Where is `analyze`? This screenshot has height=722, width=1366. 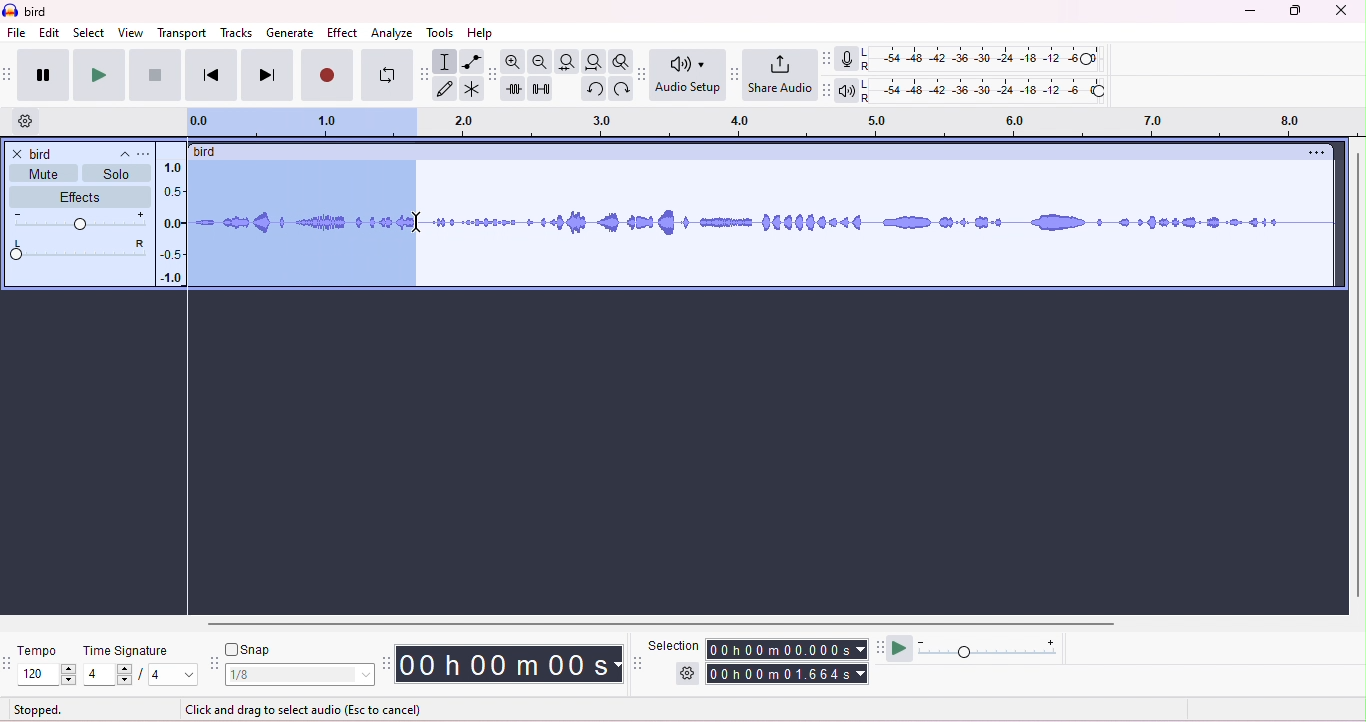
analyze is located at coordinates (392, 34).